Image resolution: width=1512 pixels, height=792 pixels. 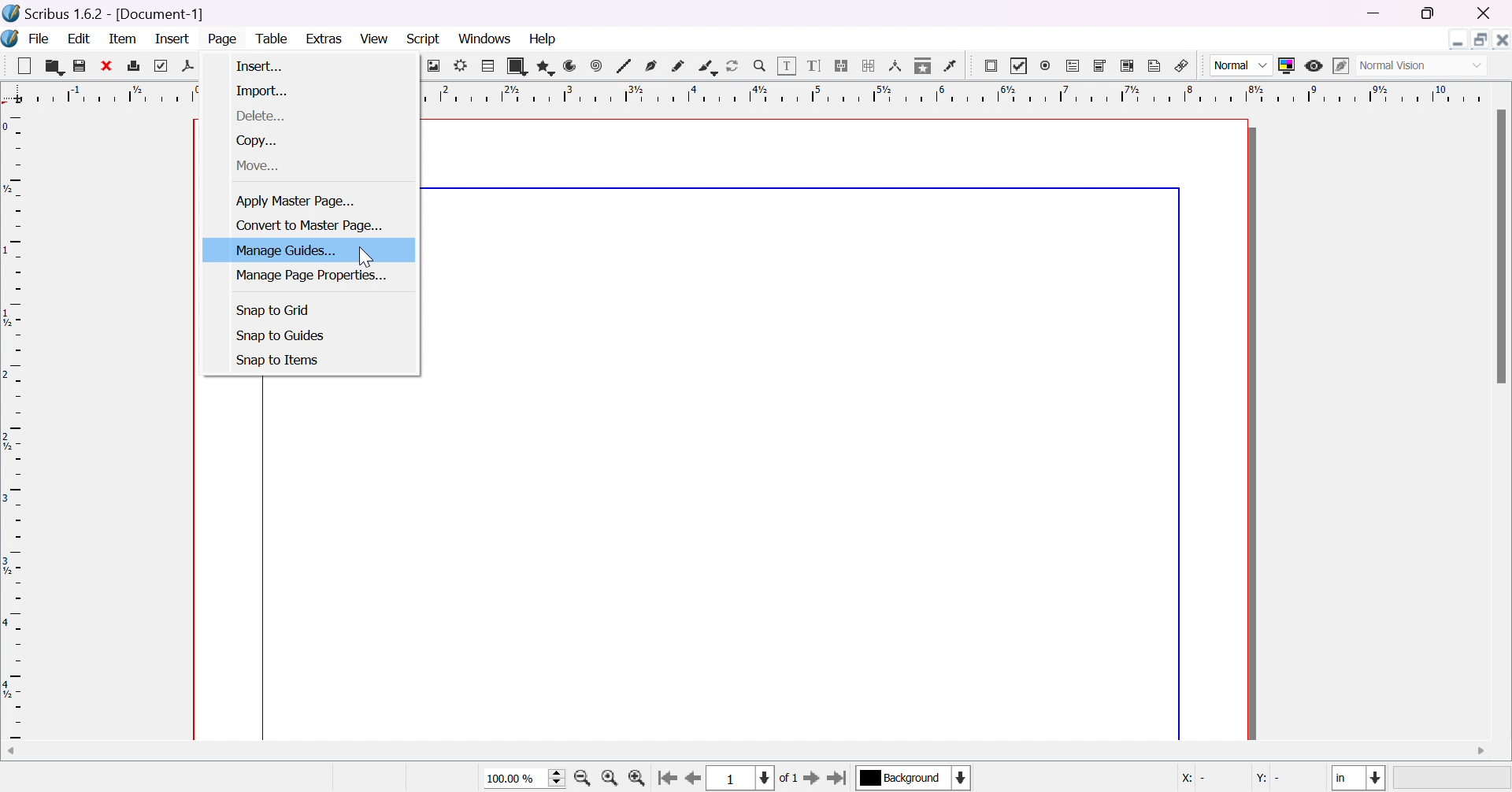 I want to click on item, so click(x=124, y=38).